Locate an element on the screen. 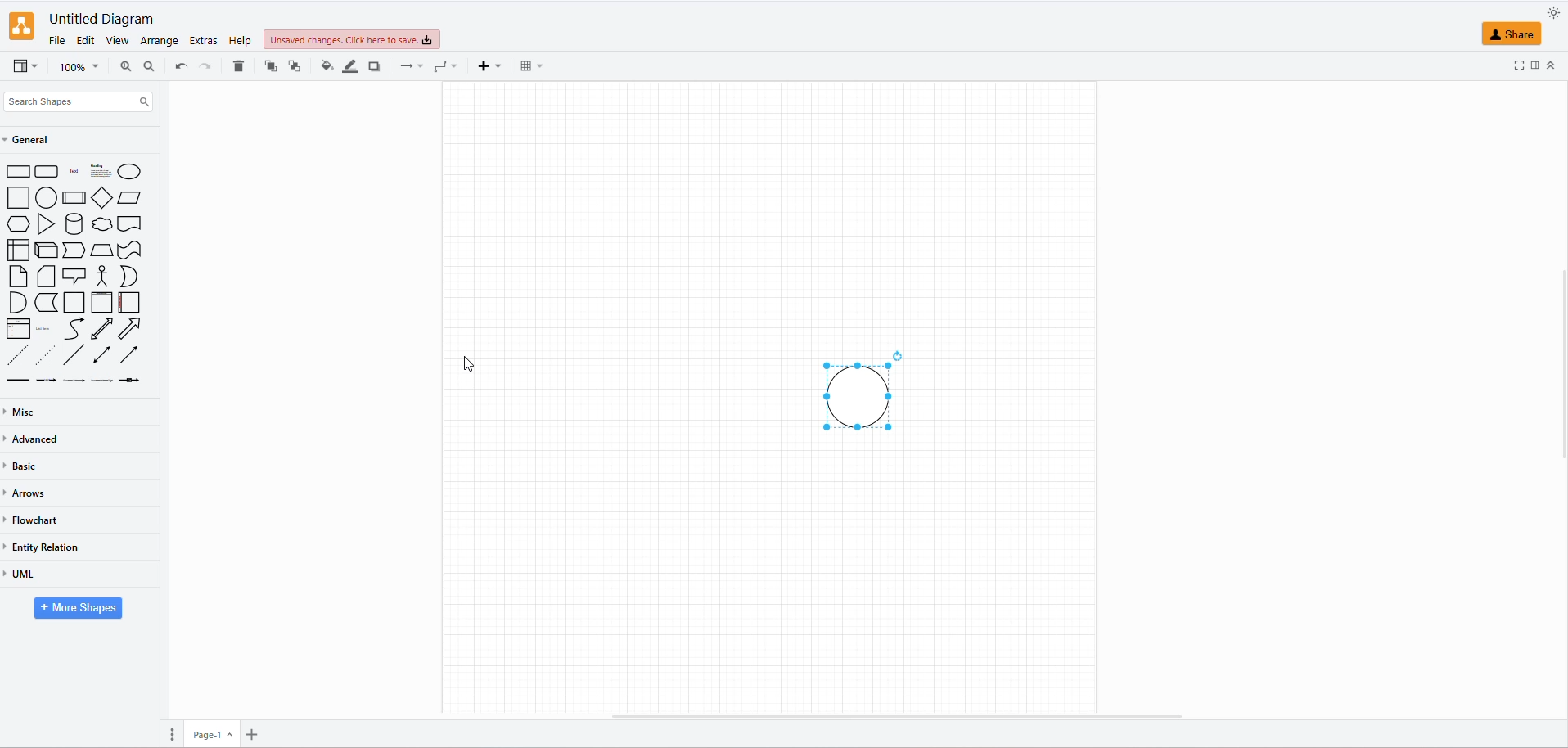  ACTOR is located at coordinates (103, 276).